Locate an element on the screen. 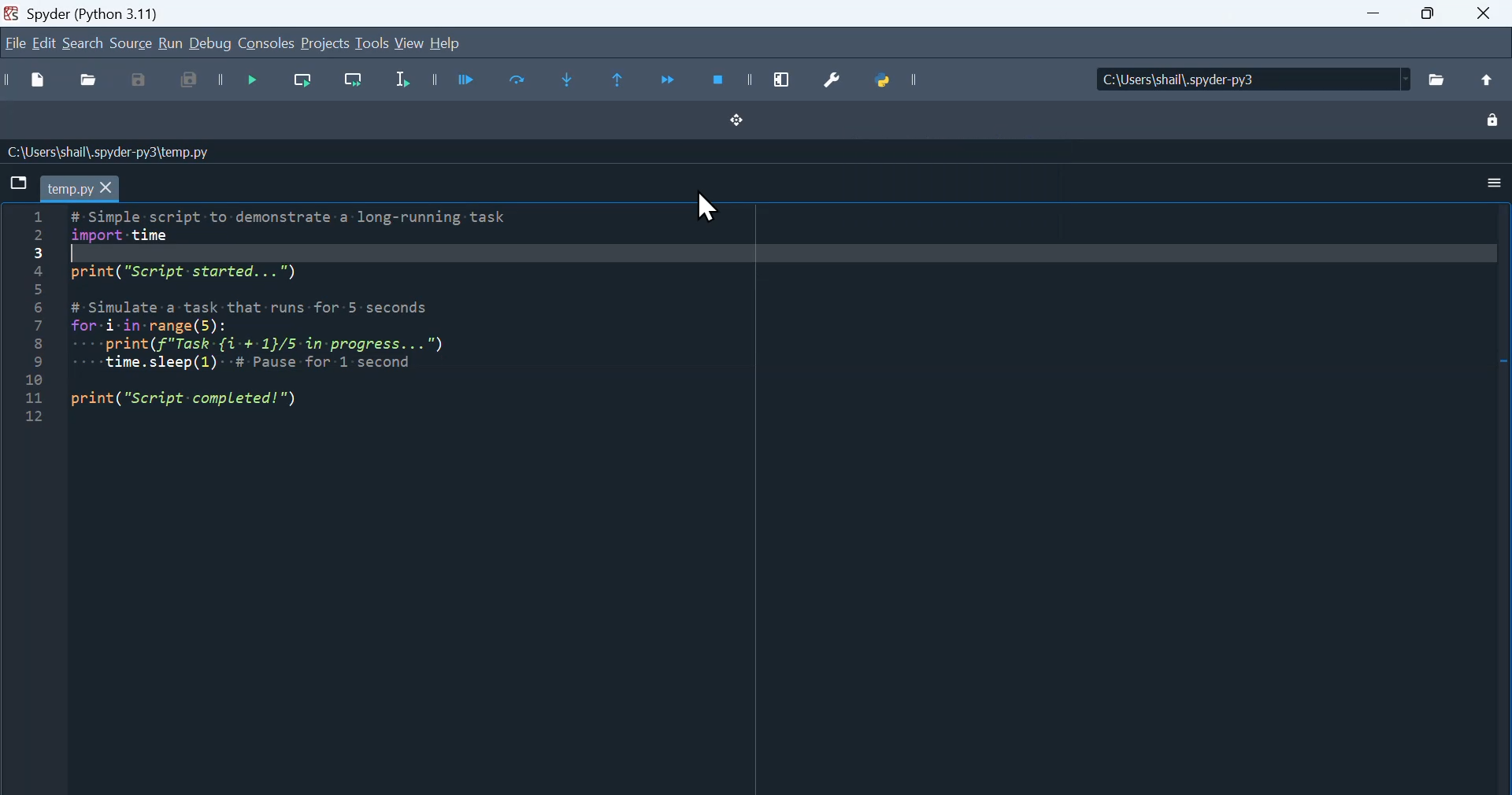 Image resolution: width=1512 pixels, height=795 pixels. Console is located at coordinates (266, 45).